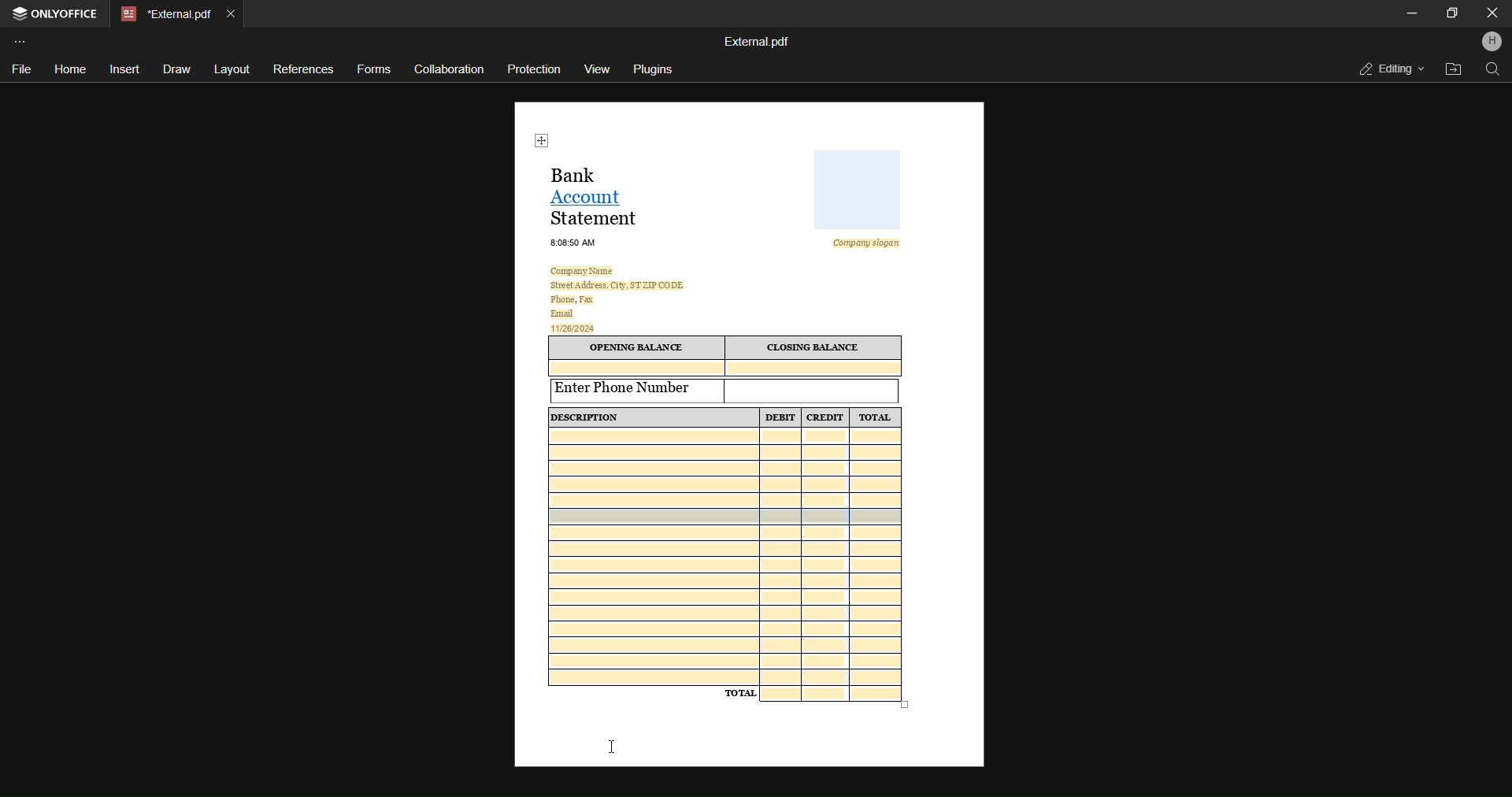 The width and height of the screenshot is (1512, 797). I want to click on ‘Phone, Fax, so click(572, 300).